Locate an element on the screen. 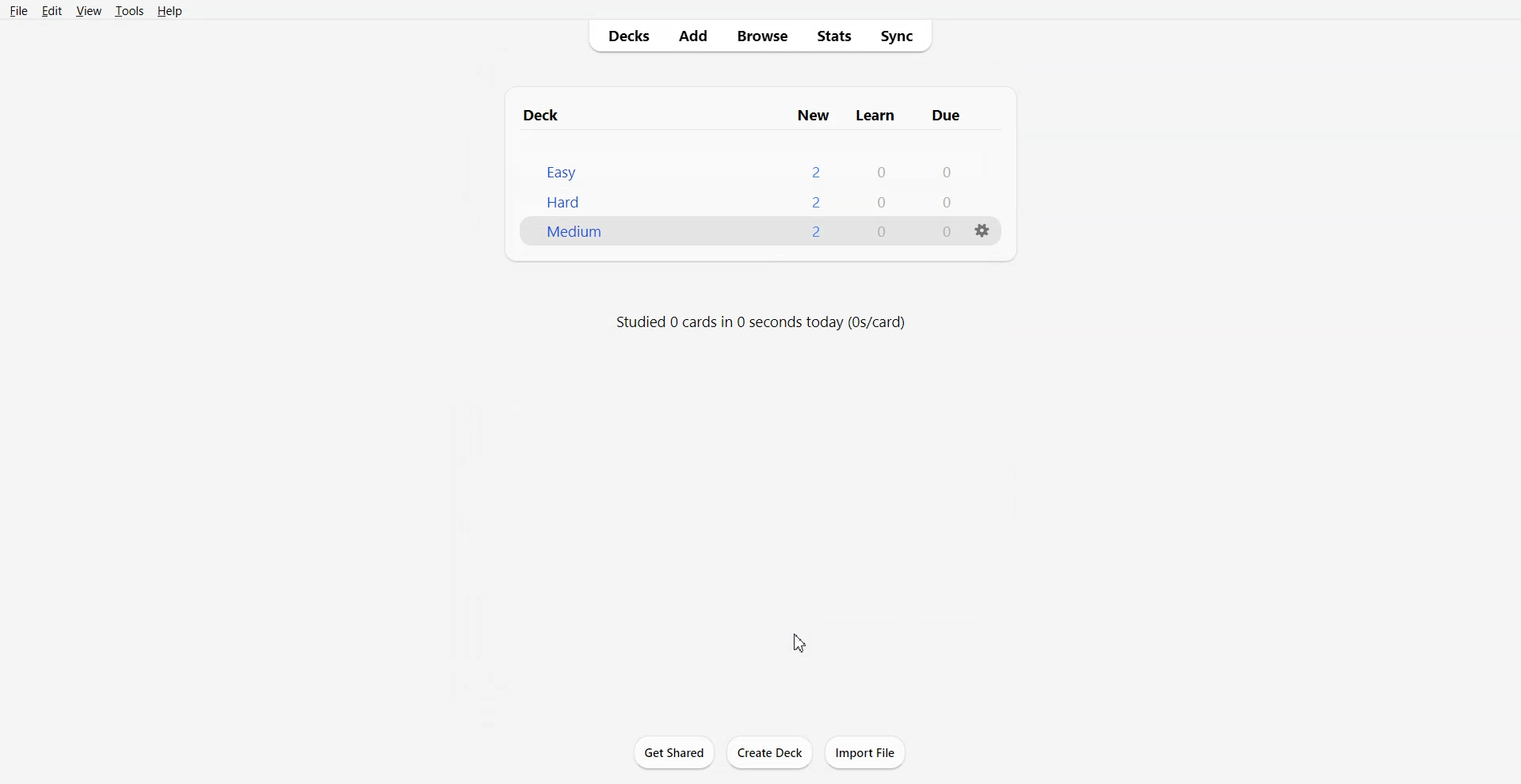  Deck File is located at coordinates (755, 160).